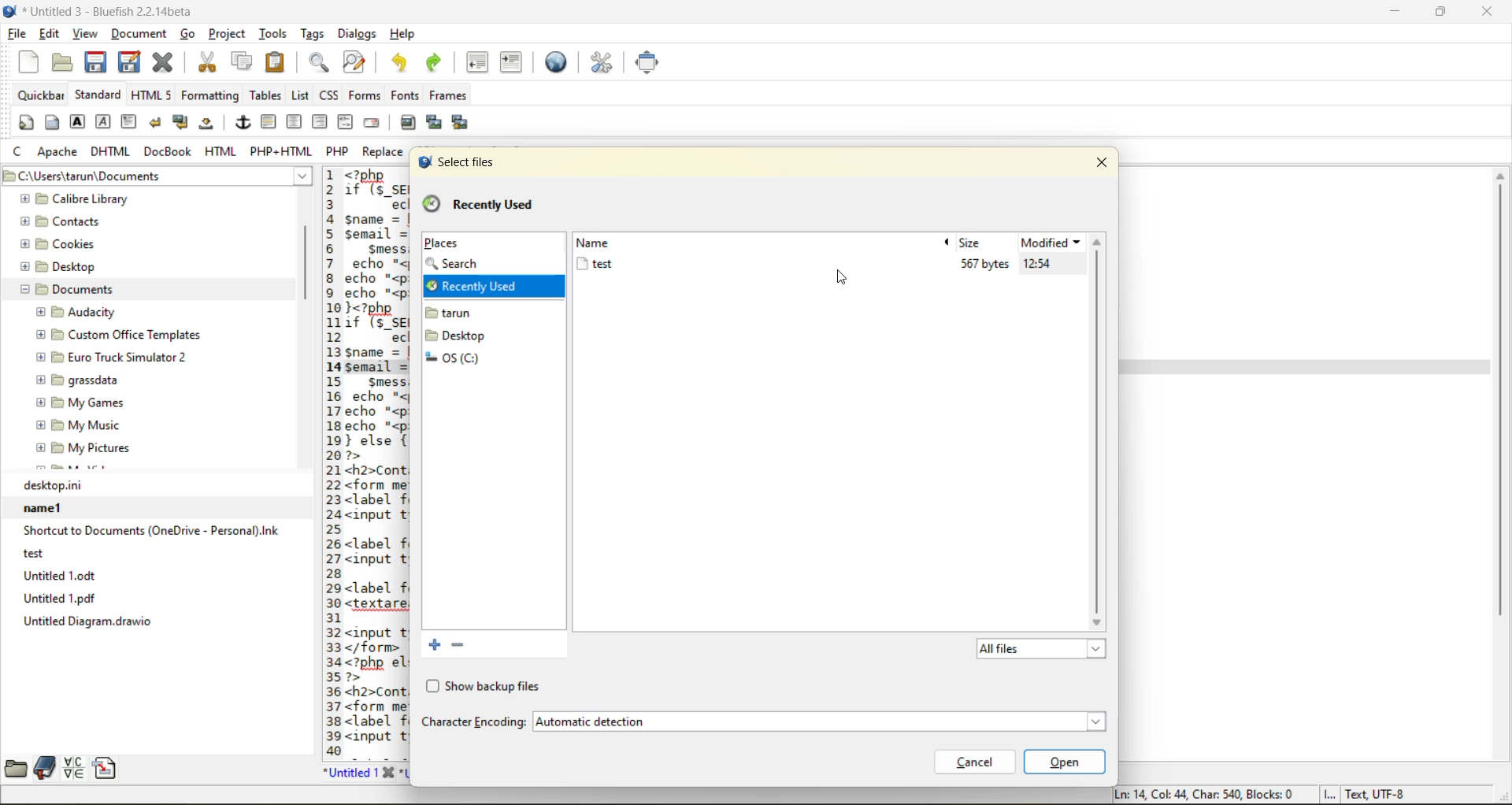 The width and height of the screenshot is (1512, 805). I want to click on search, so click(462, 265).